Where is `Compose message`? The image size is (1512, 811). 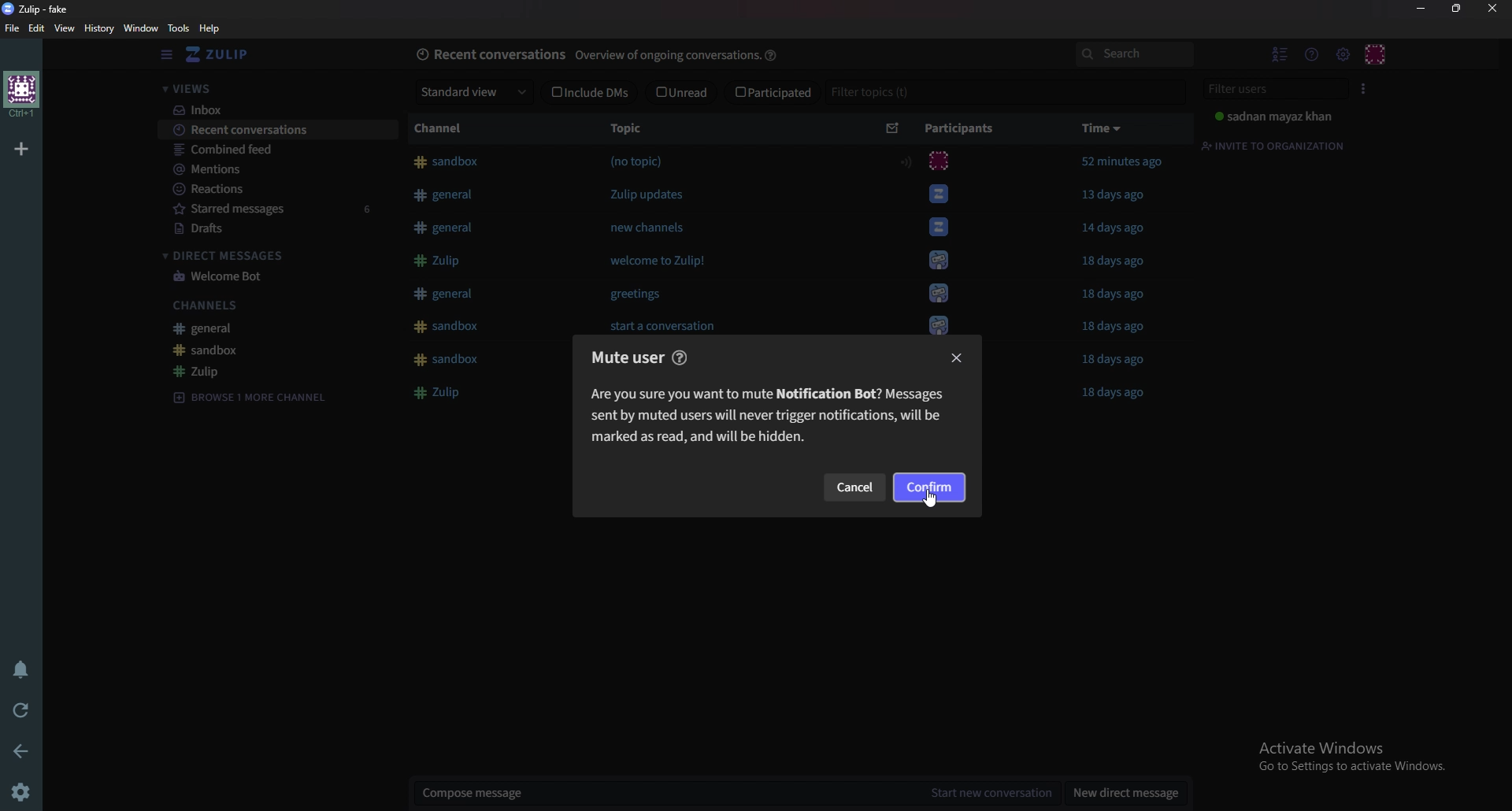
Compose message is located at coordinates (664, 793).